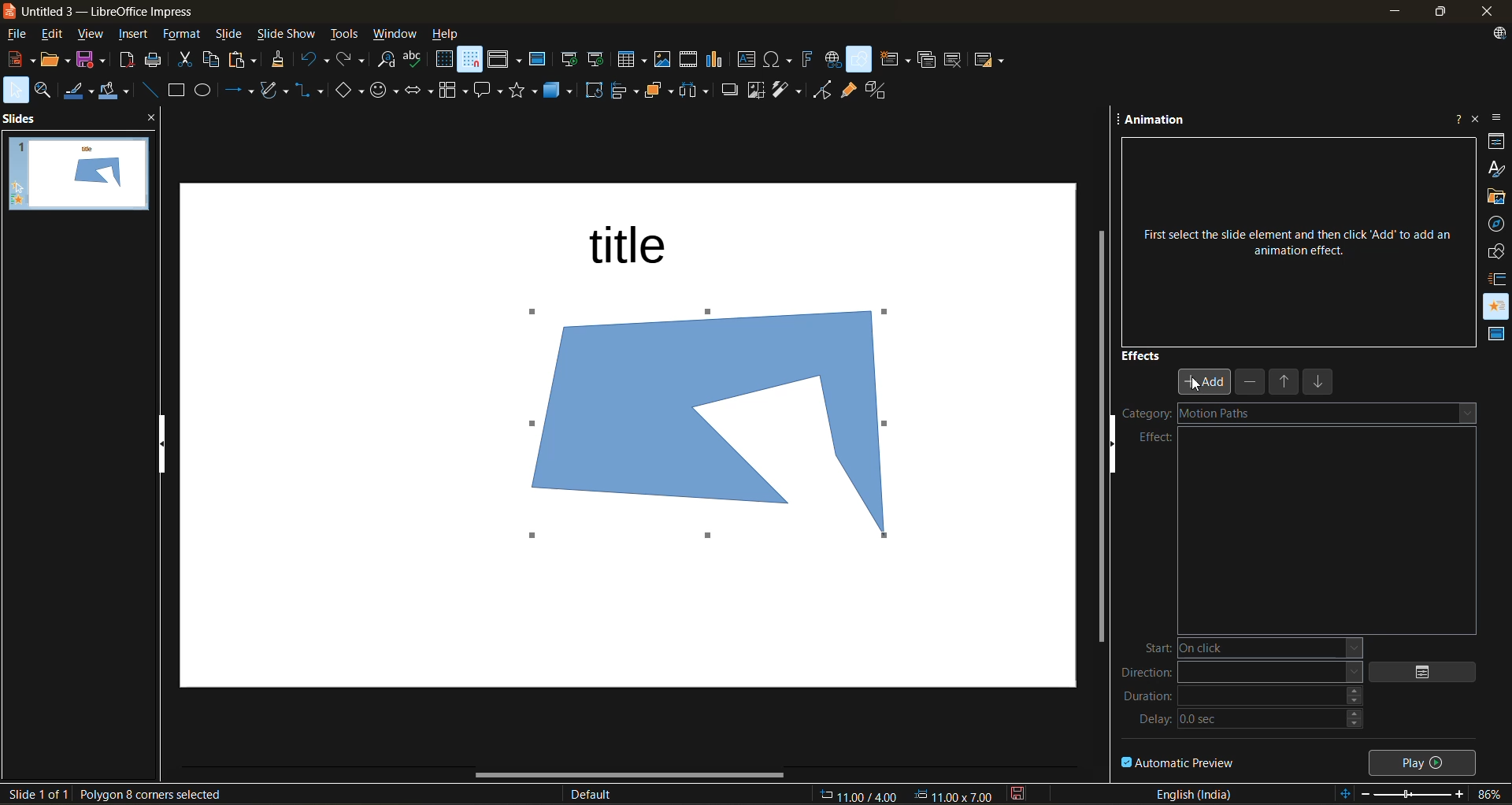 Image resolution: width=1512 pixels, height=805 pixels. What do you see at coordinates (1203, 380) in the screenshot?
I see `add` at bounding box center [1203, 380].